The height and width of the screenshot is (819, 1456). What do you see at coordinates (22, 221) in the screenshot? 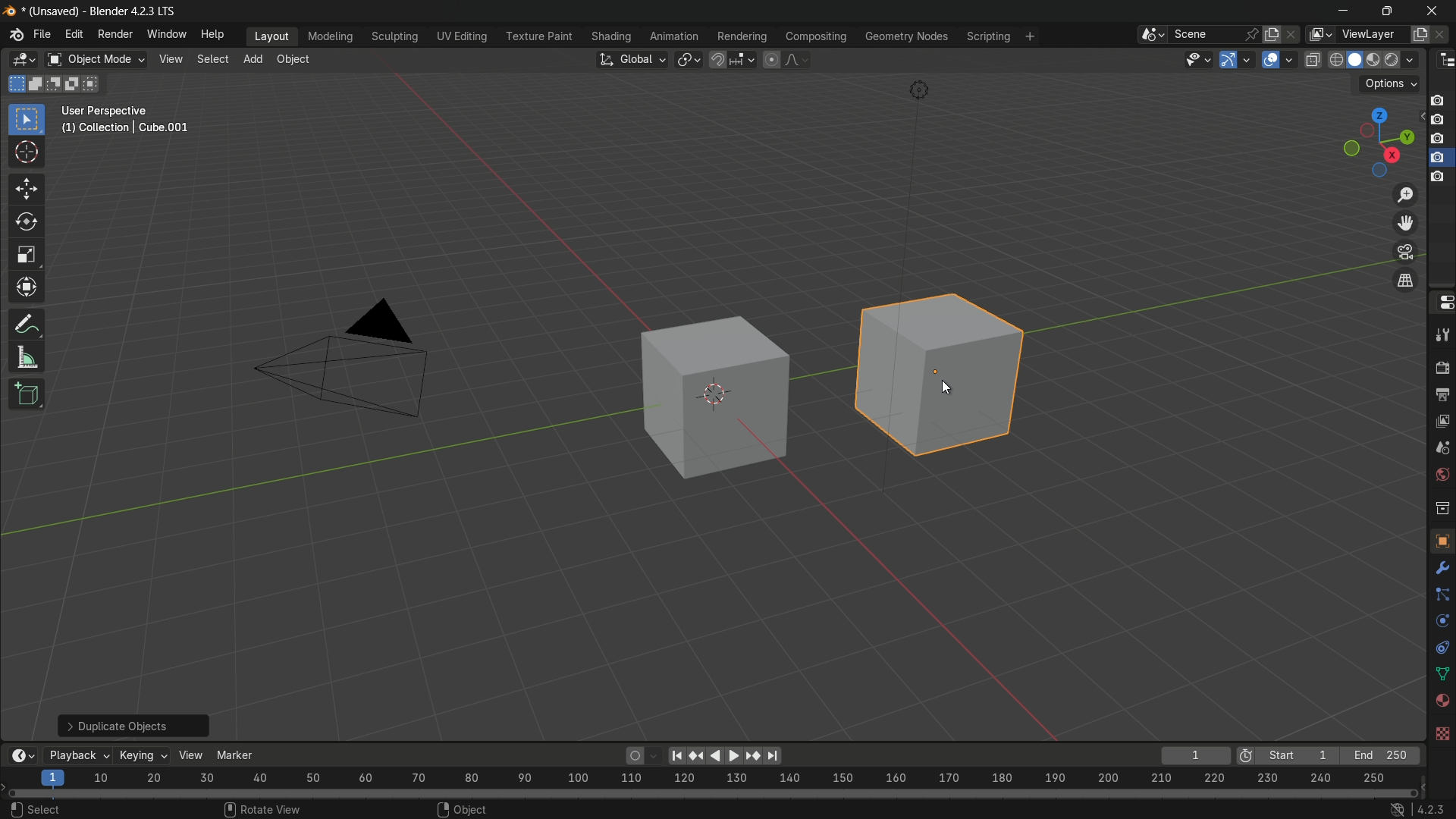
I see `rotate` at bounding box center [22, 221].